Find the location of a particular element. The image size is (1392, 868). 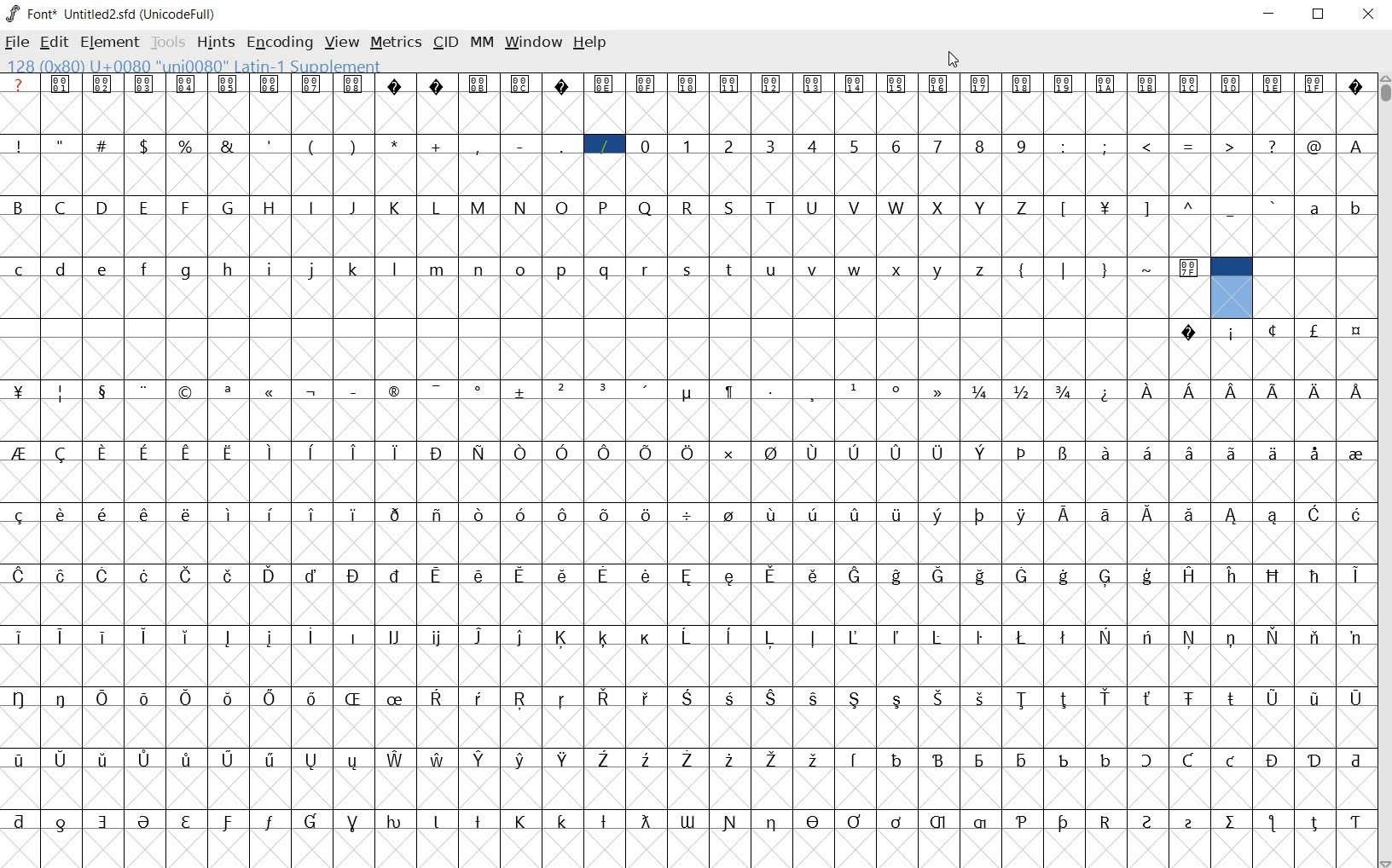

Symbol is located at coordinates (983, 84).